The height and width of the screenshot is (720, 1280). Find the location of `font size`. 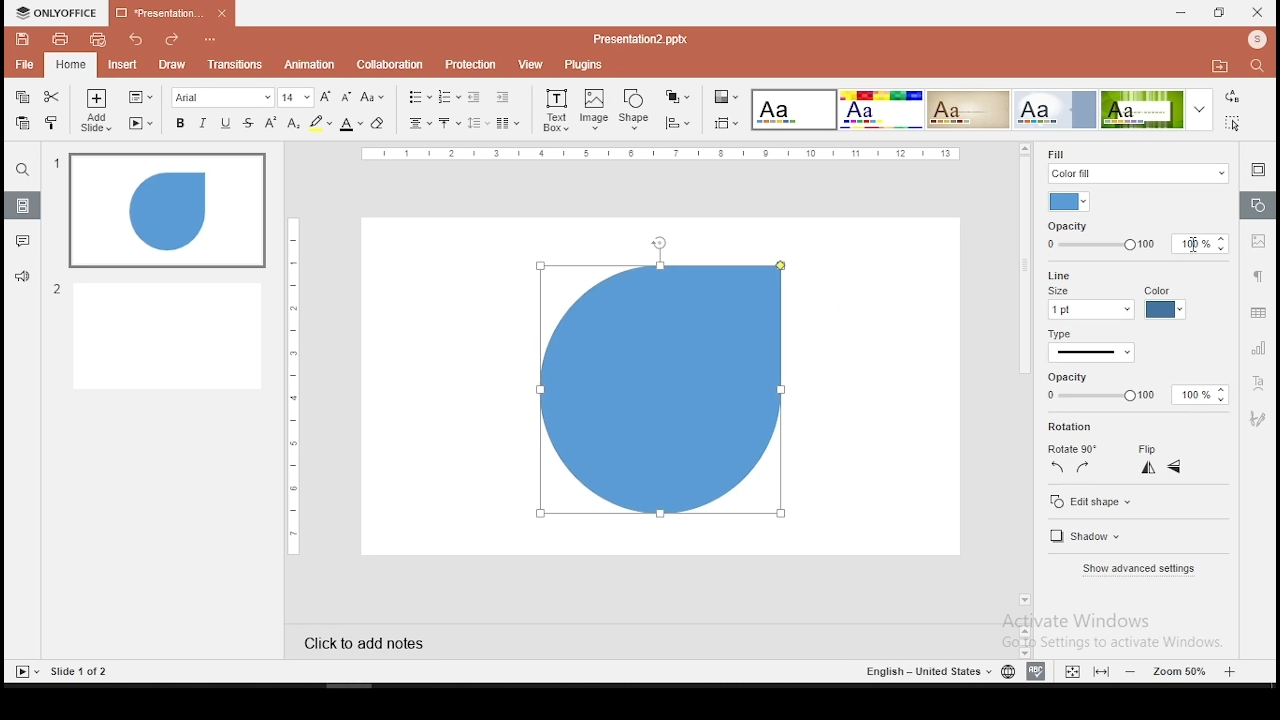

font size is located at coordinates (297, 98).